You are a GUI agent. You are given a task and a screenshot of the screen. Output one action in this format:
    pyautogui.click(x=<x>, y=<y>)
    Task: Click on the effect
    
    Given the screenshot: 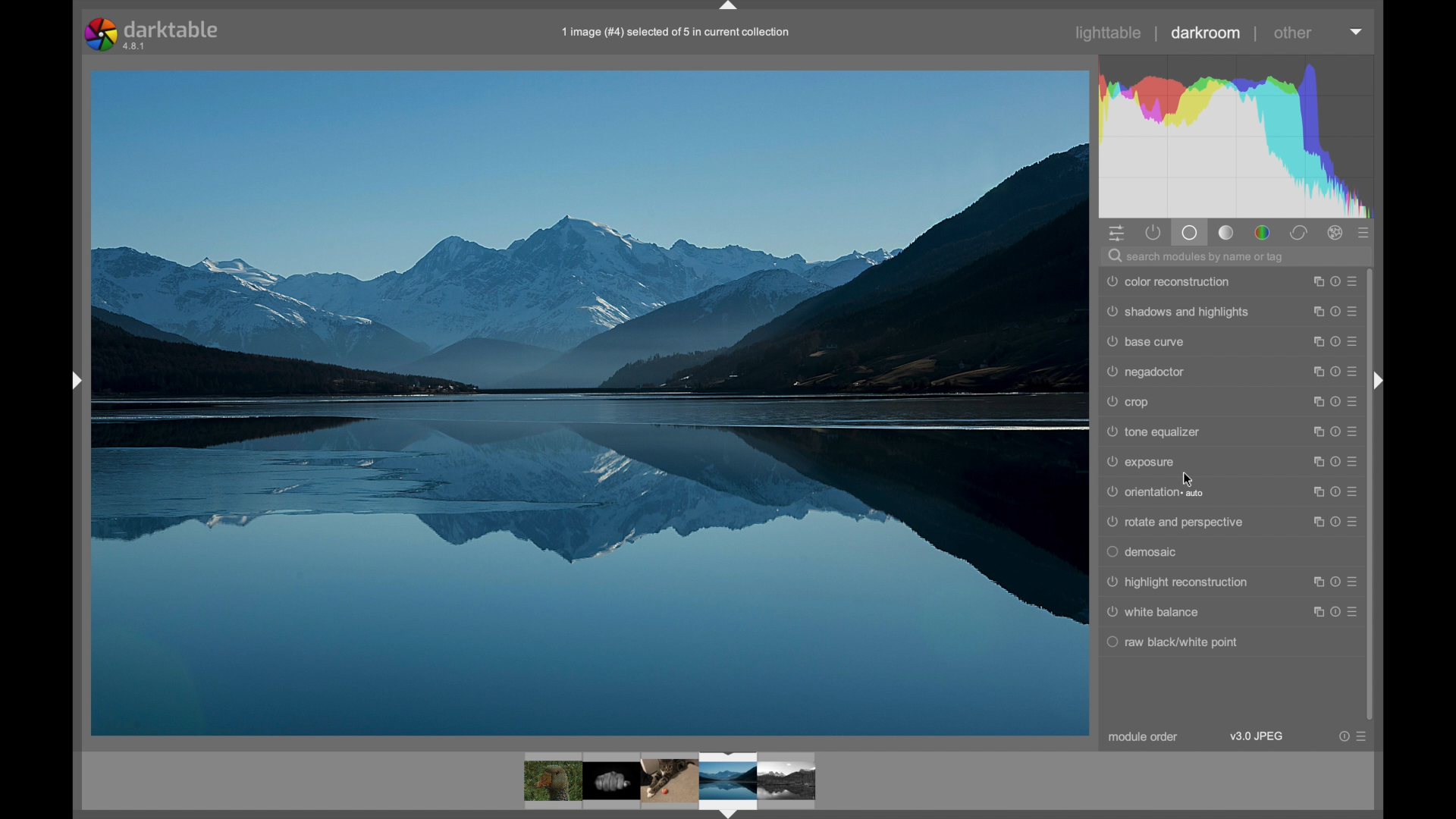 What is the action you would take?
    pyautogui.click(x=1336, y=233)
    